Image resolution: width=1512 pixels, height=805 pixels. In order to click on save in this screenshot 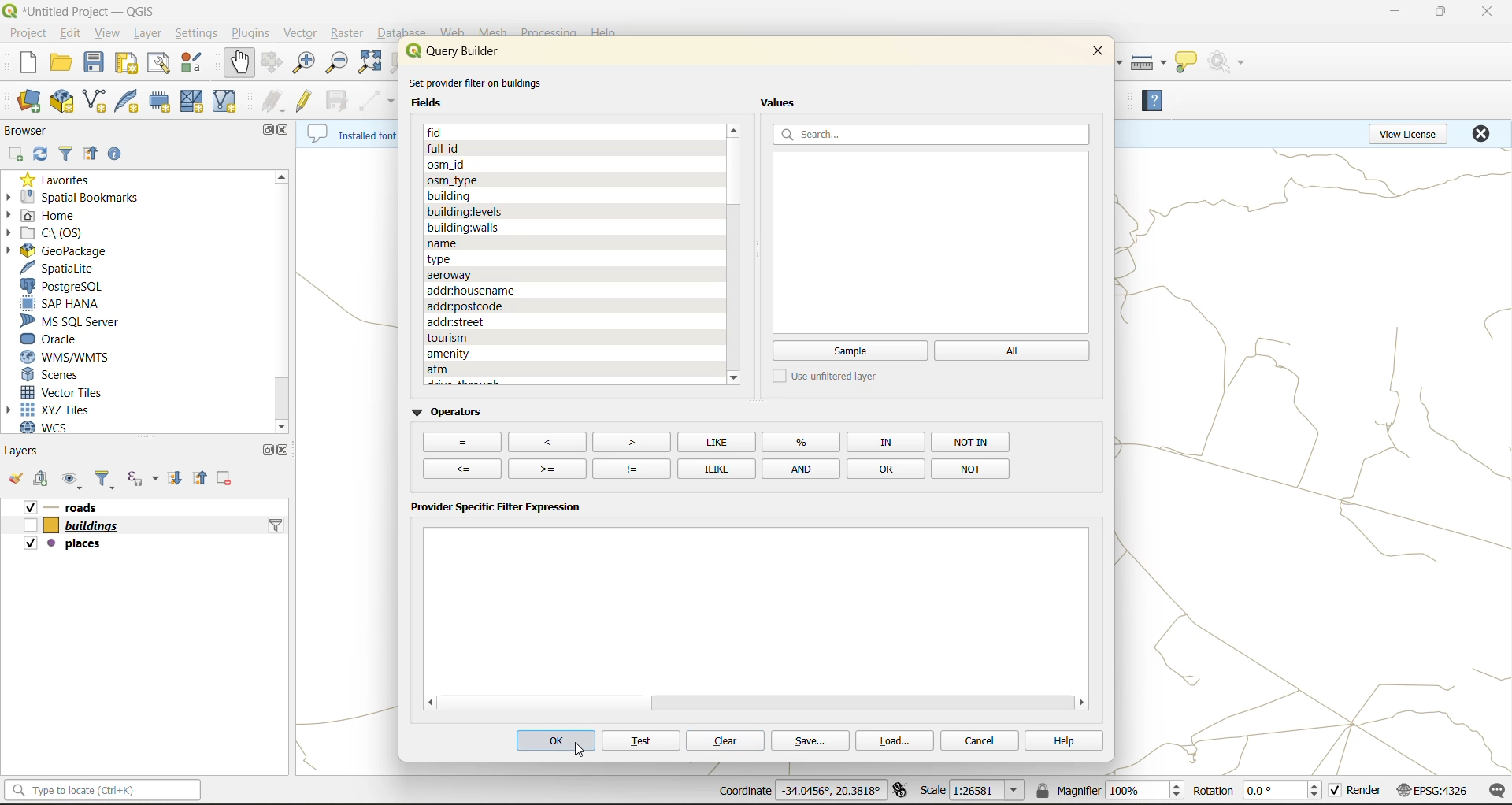, I will do `click(809, 742)`.